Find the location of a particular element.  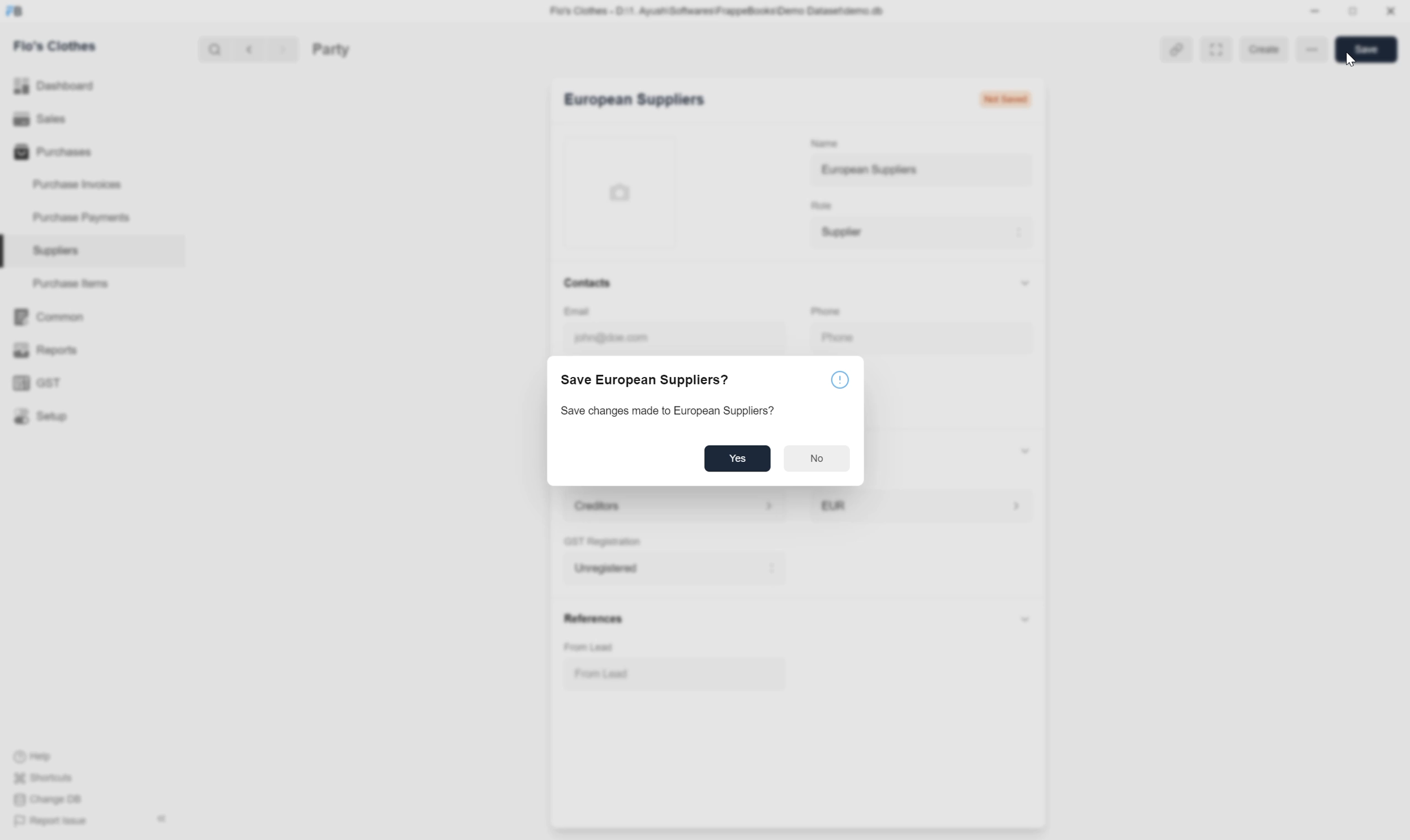

attach is located at coordinates (1167, 48).